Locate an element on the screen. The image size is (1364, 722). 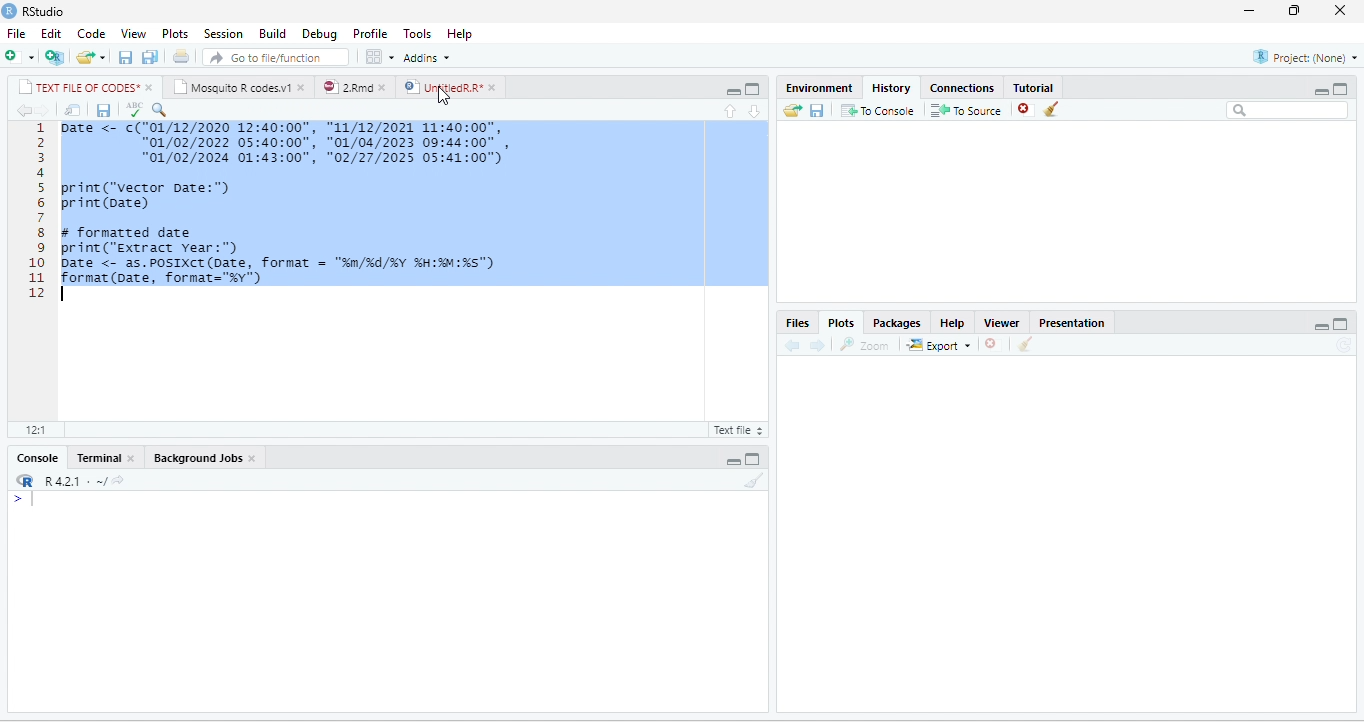
File is located at coordinates (16, 34).